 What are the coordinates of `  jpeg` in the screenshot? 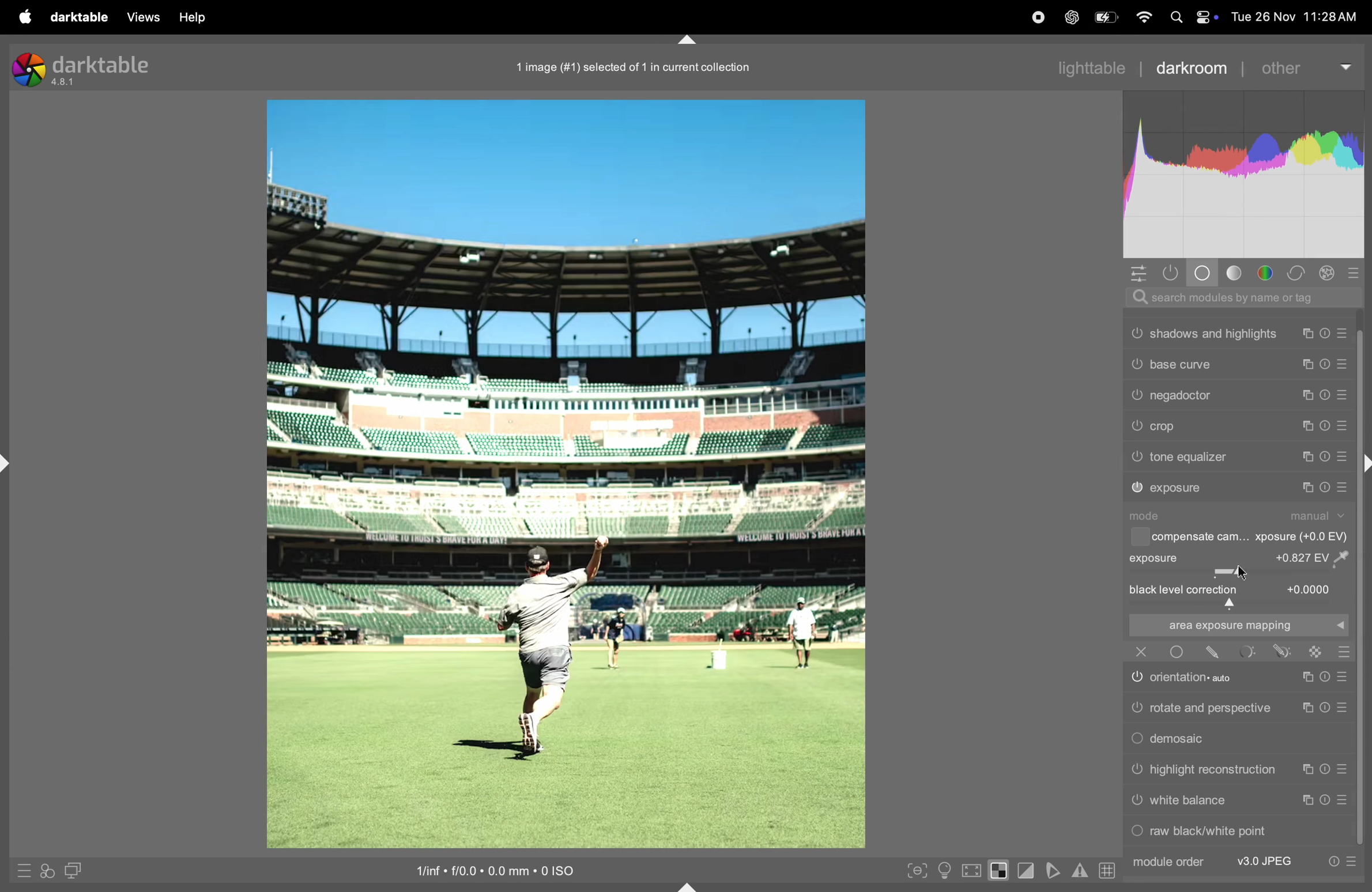 It's located at (1266, 861).